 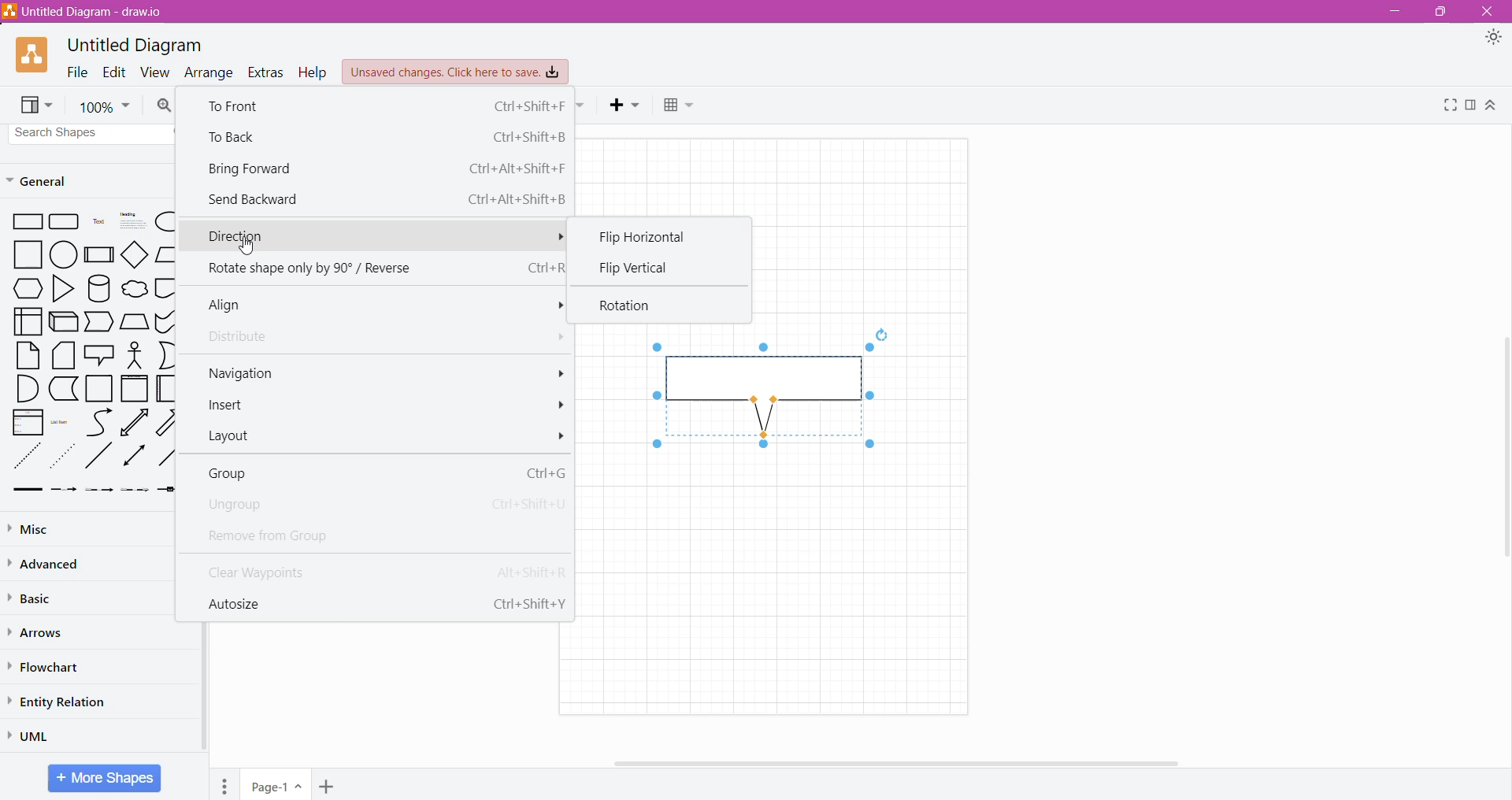 I want to click on rectangle, so click(x=24, y=223).